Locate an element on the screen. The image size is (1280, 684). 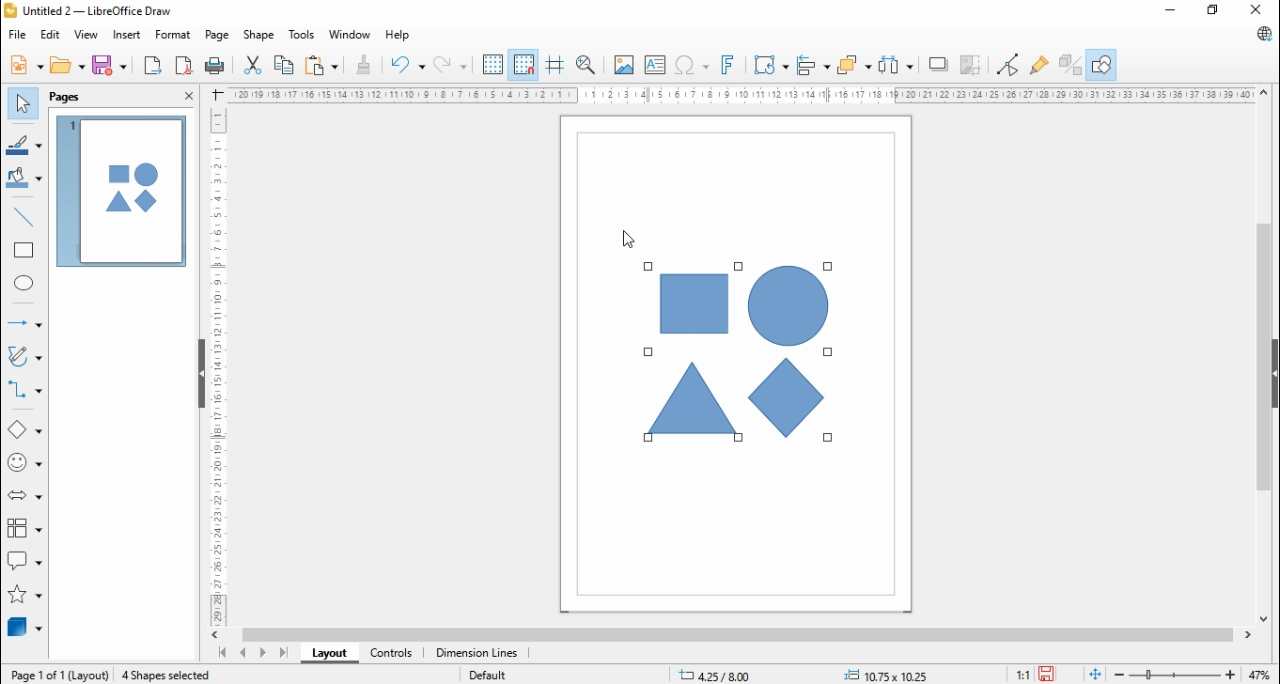
show gluepoint function is located at coordinates (1037, 65).